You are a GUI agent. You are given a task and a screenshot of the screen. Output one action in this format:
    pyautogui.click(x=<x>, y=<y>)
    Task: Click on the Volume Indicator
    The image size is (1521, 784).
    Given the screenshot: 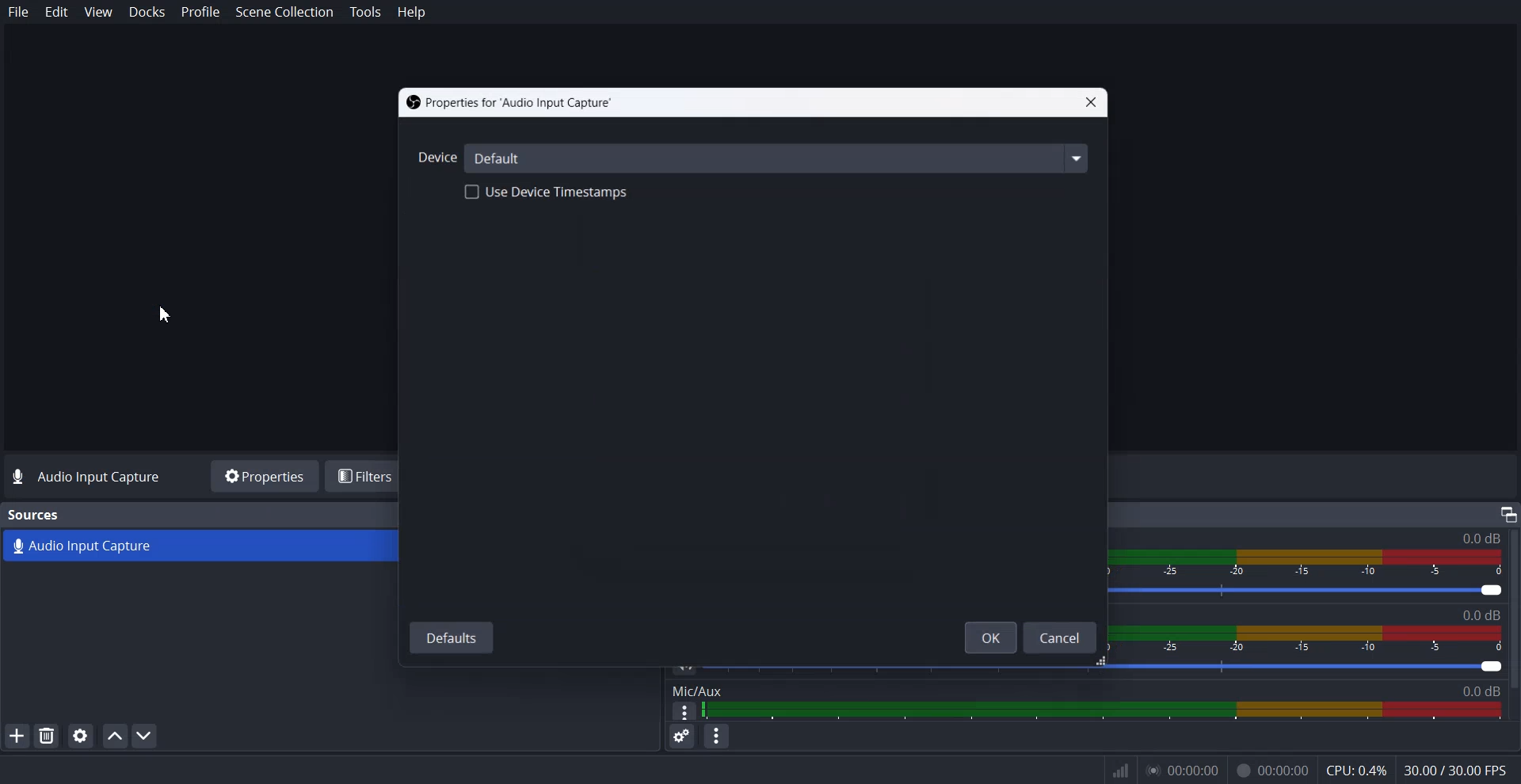 What is the action you would take?
    pyautogui.click(x=1312, y=562)
    